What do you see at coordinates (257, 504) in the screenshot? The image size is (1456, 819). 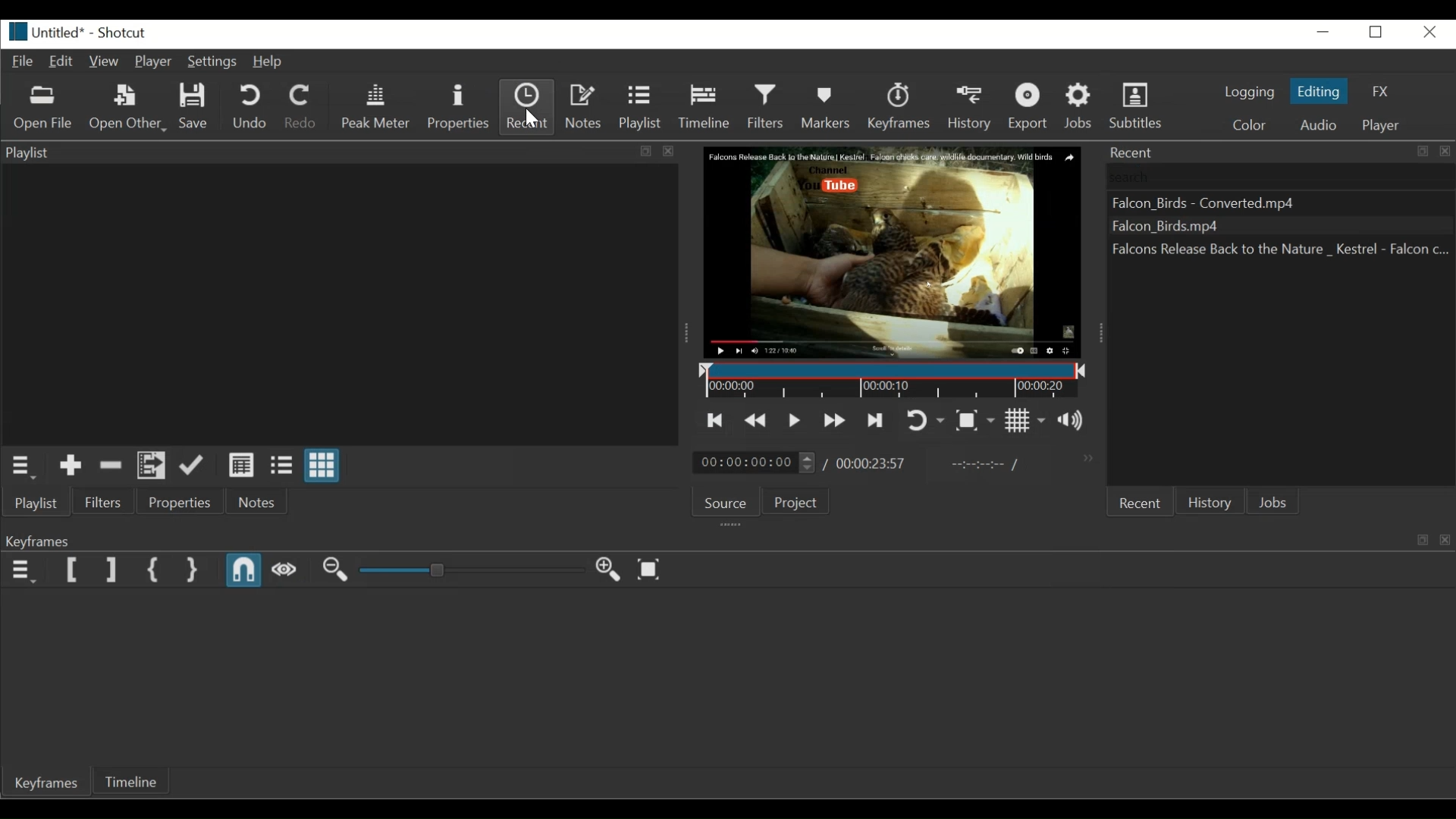 I see `Notes` at bounding box center [257, 504].